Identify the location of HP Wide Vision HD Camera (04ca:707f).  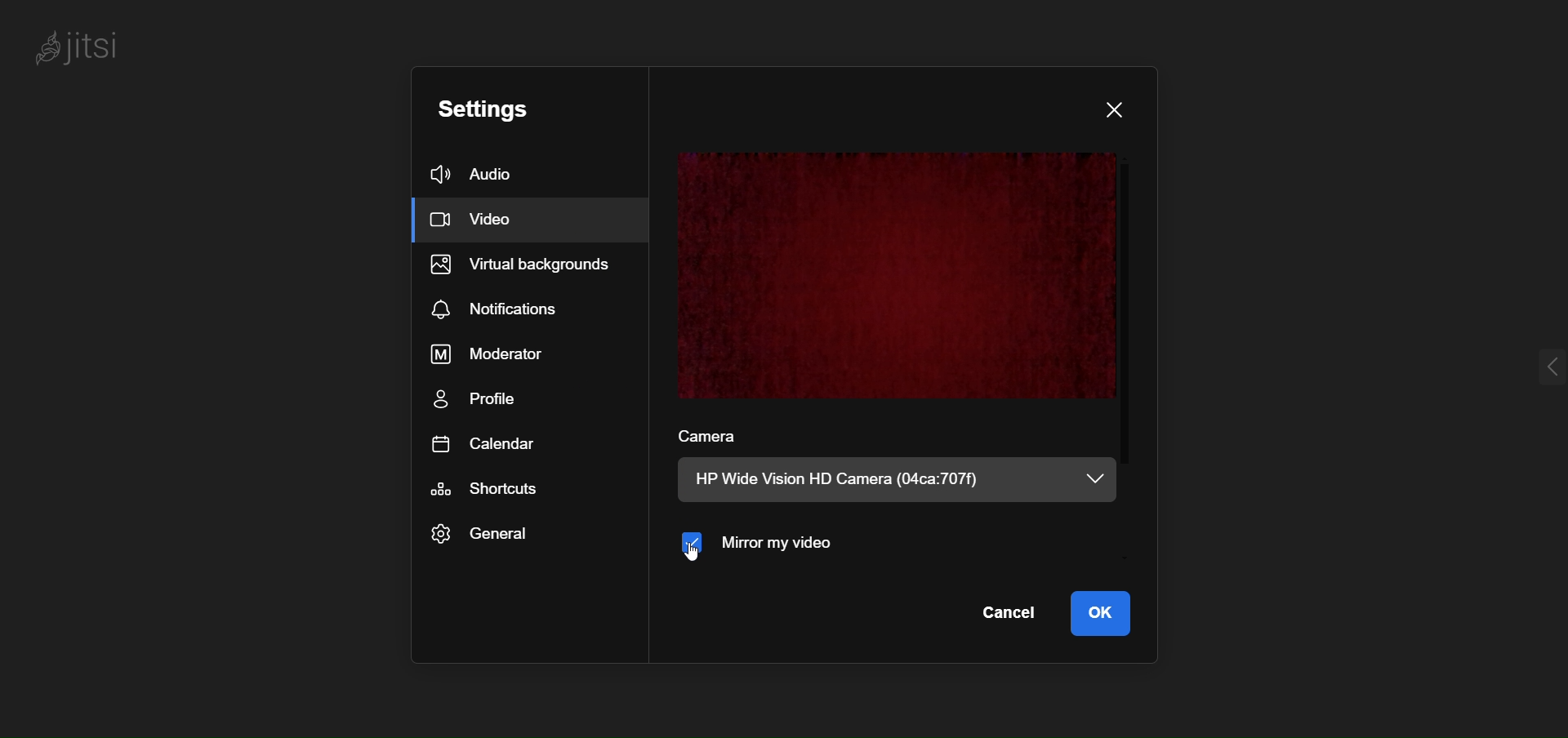
(833, 479).